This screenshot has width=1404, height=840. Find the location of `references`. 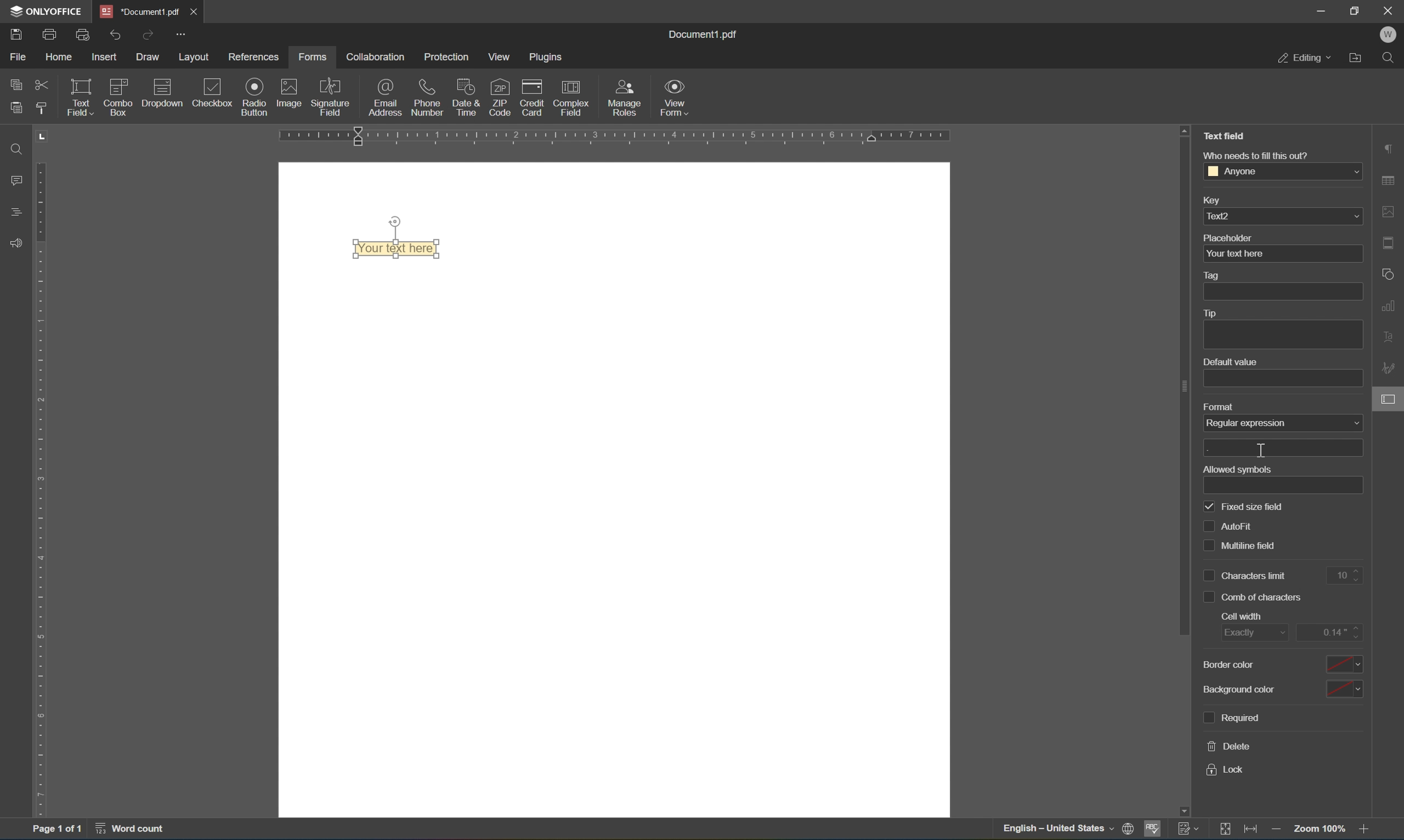

references is located at coordinates (256, 57).